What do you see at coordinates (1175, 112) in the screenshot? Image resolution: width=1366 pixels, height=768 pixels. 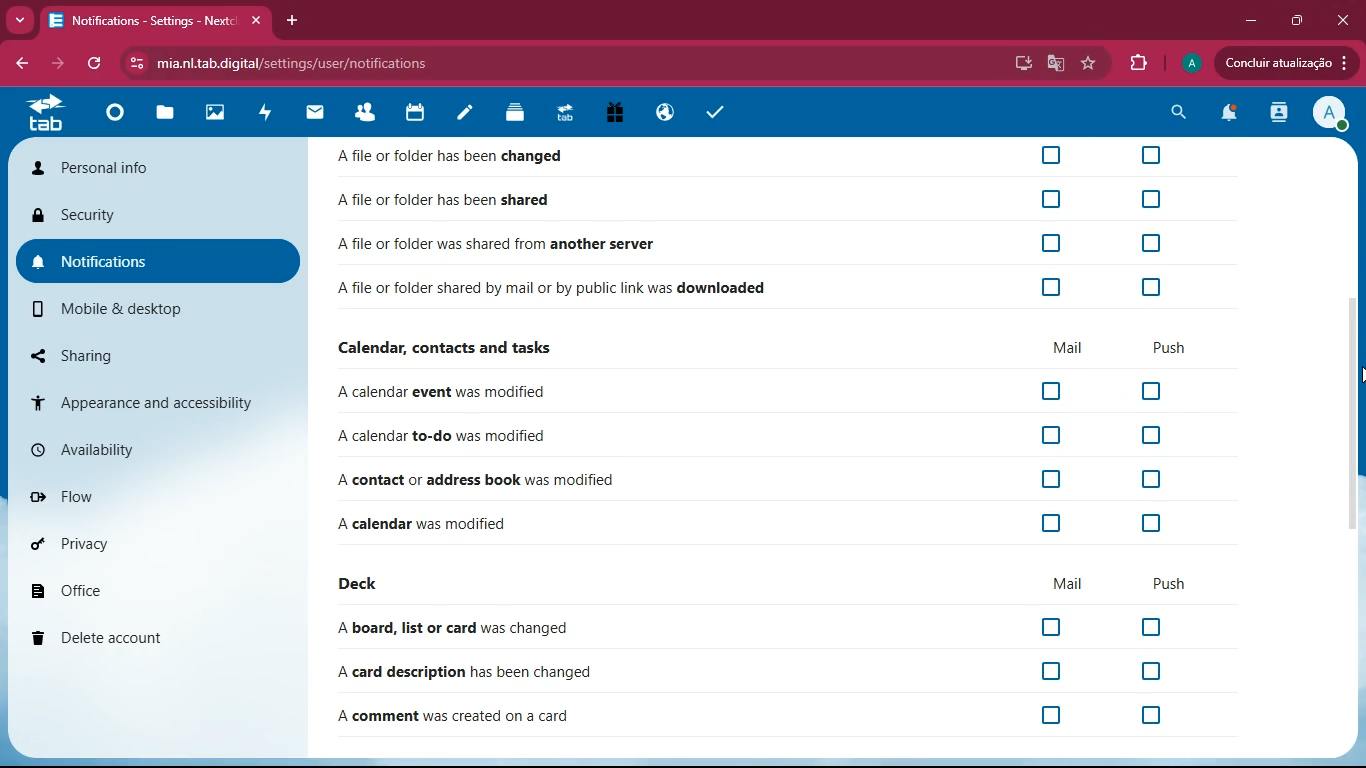 I see `search` at bounding box center [1175, 112].